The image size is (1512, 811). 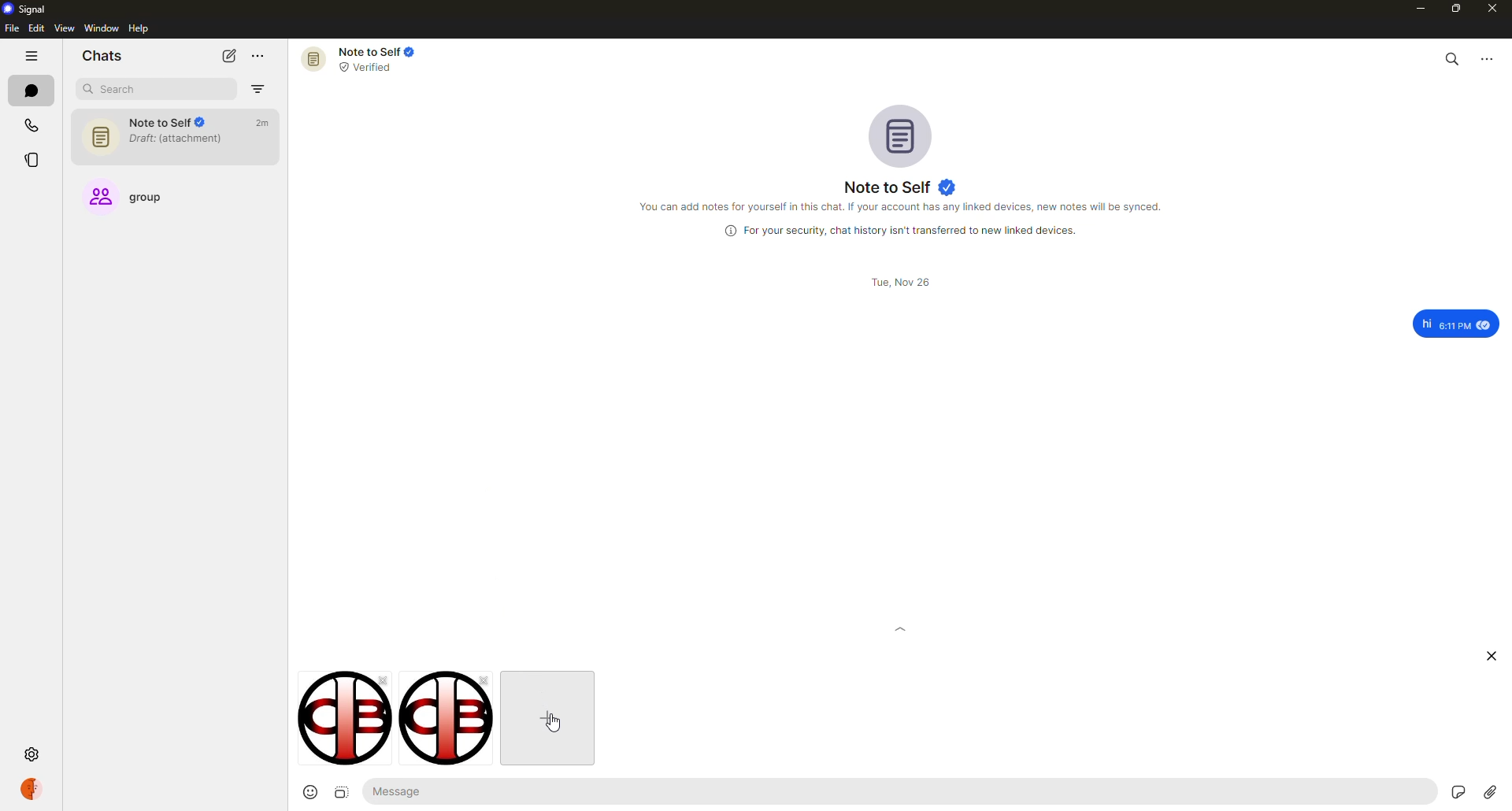 I want to click on note to self, so click(x=172, y=133).